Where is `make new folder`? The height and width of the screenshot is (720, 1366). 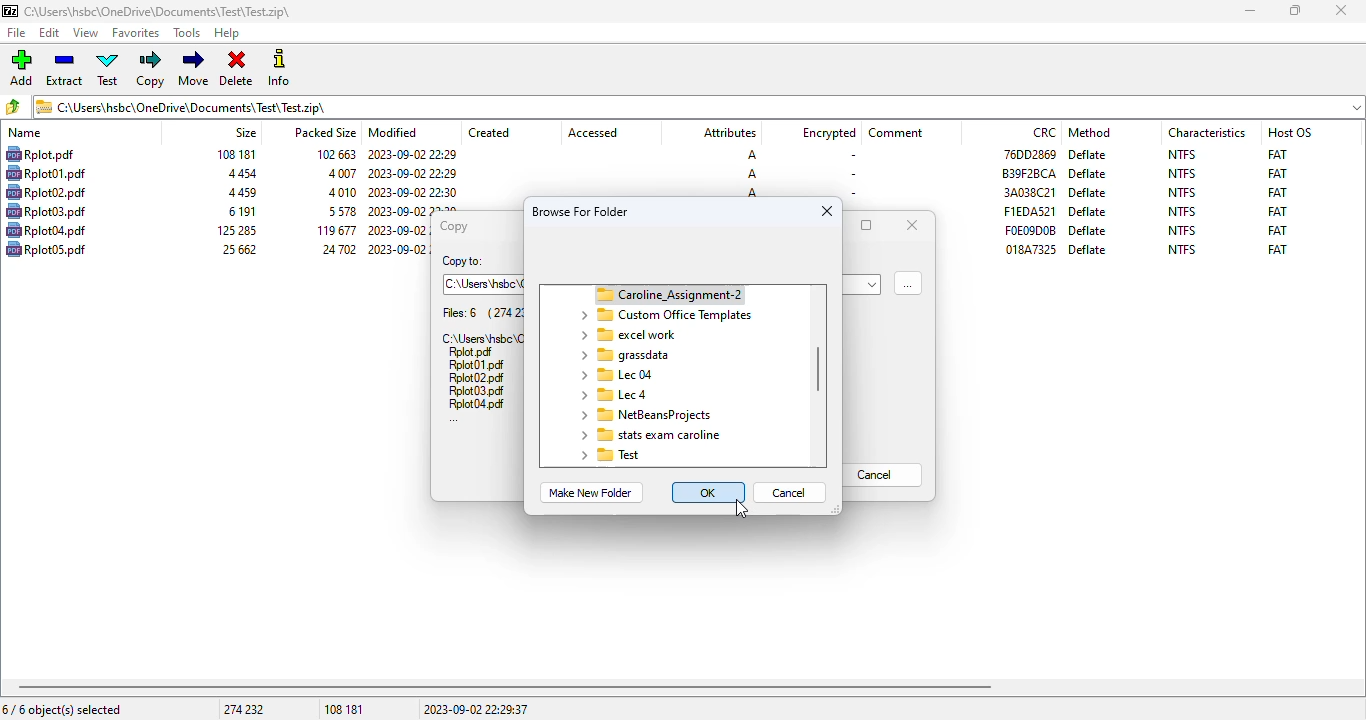
make new folder is located at coordinates (589, 493).